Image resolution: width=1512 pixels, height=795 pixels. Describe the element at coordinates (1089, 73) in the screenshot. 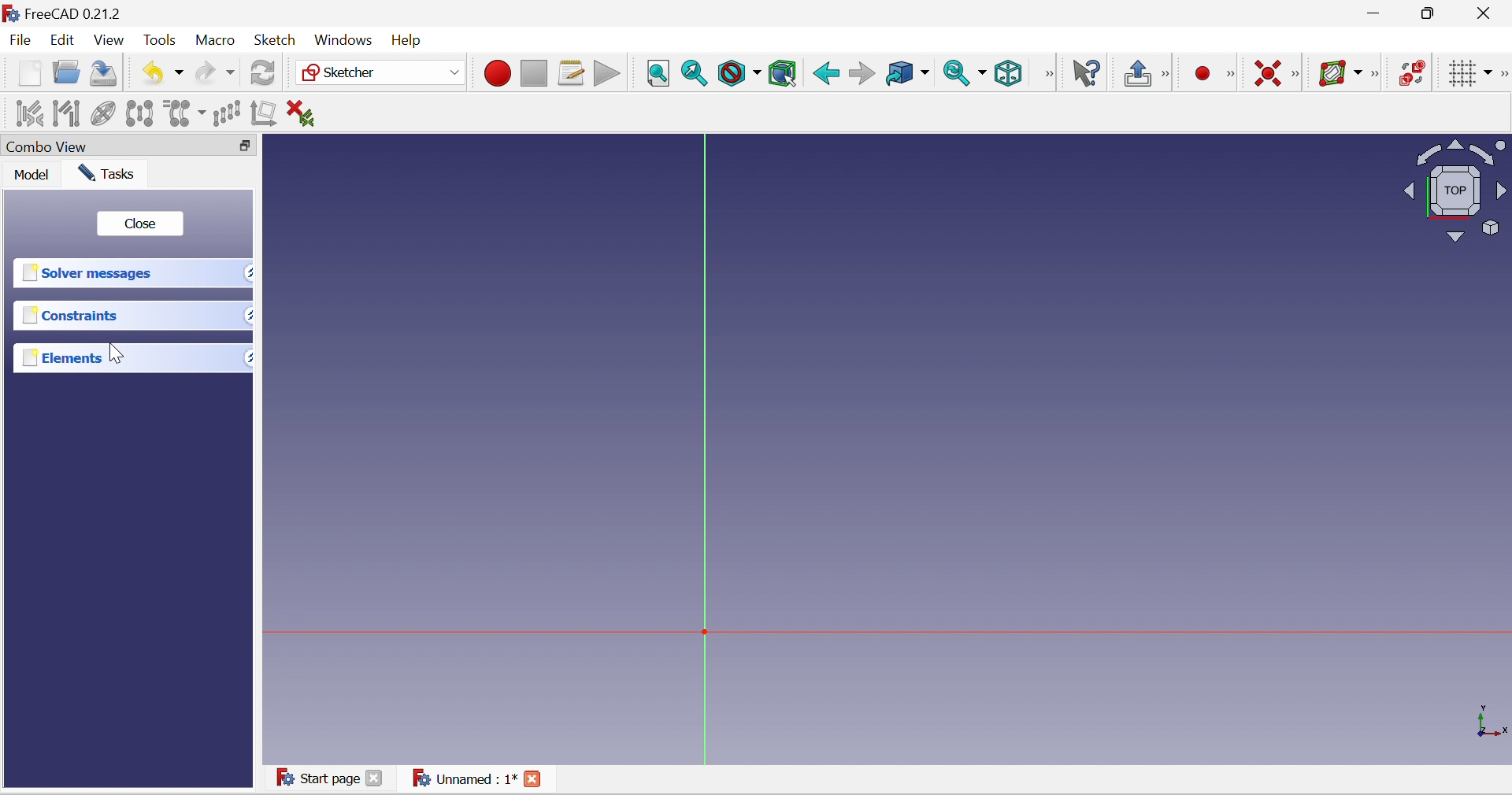

I see `What's this?` at that location.